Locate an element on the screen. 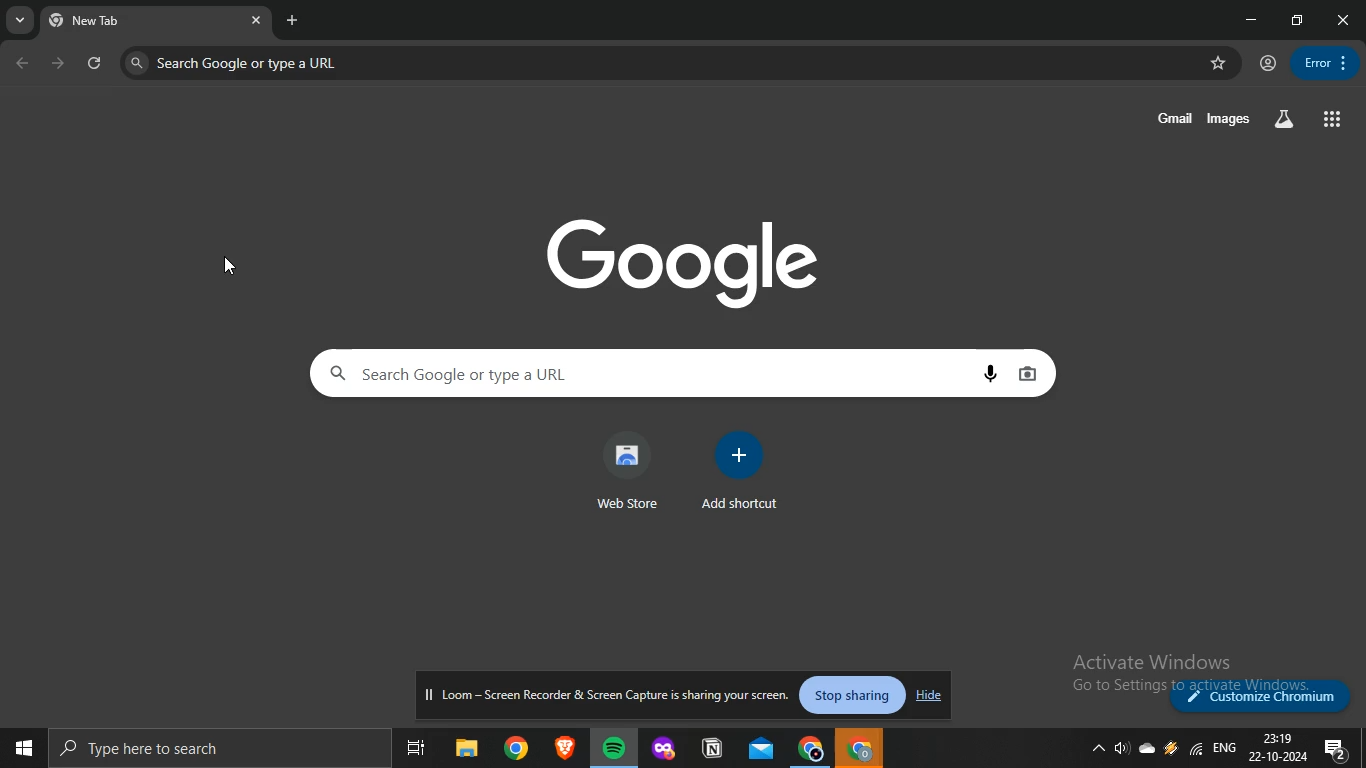  outlook is located at coordinates (764, 746).